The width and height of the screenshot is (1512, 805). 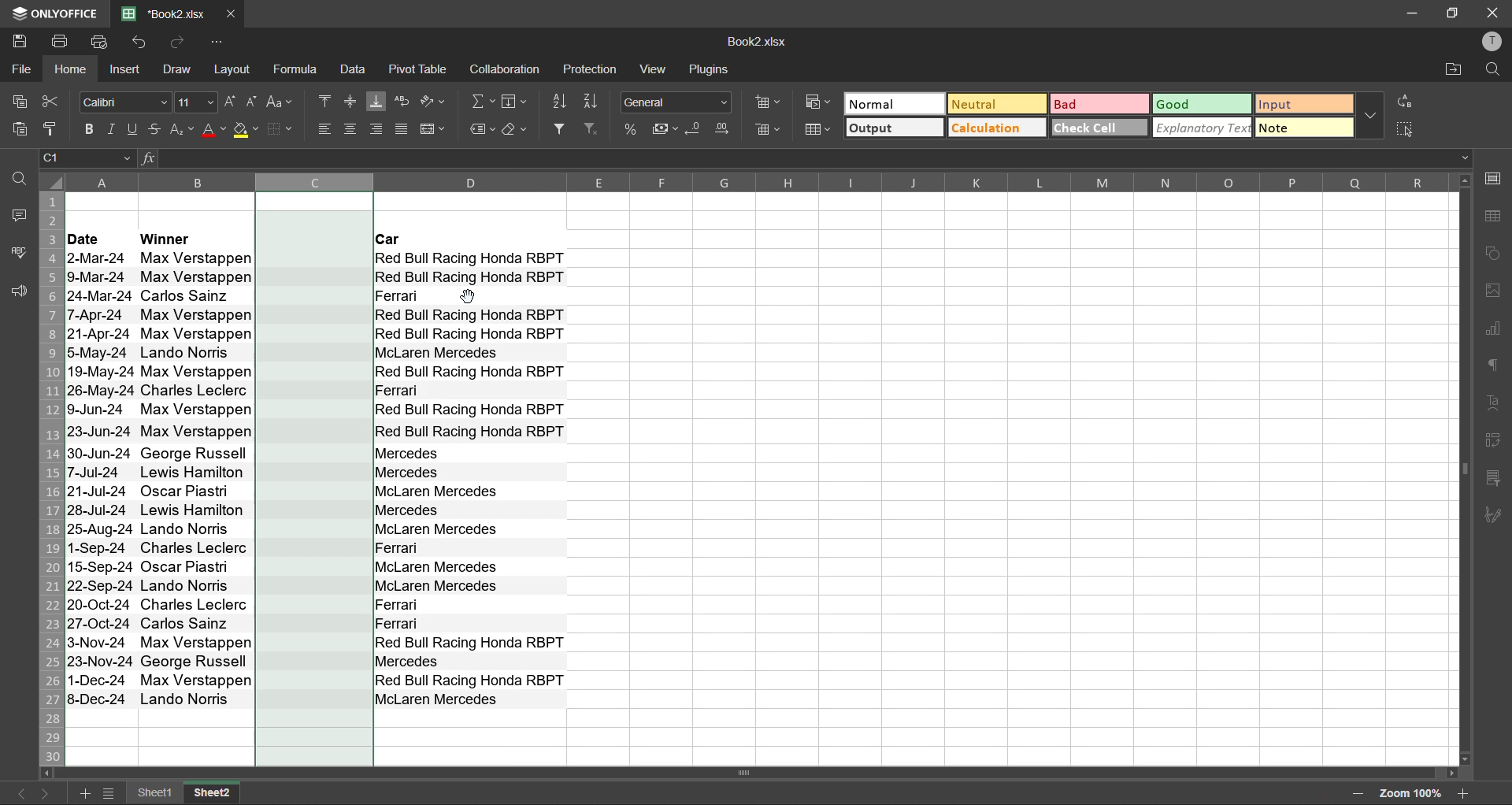 What do you see at coordinates (184, 43) in the screenshot?
I see `redo` at bounding box center [184, 43].